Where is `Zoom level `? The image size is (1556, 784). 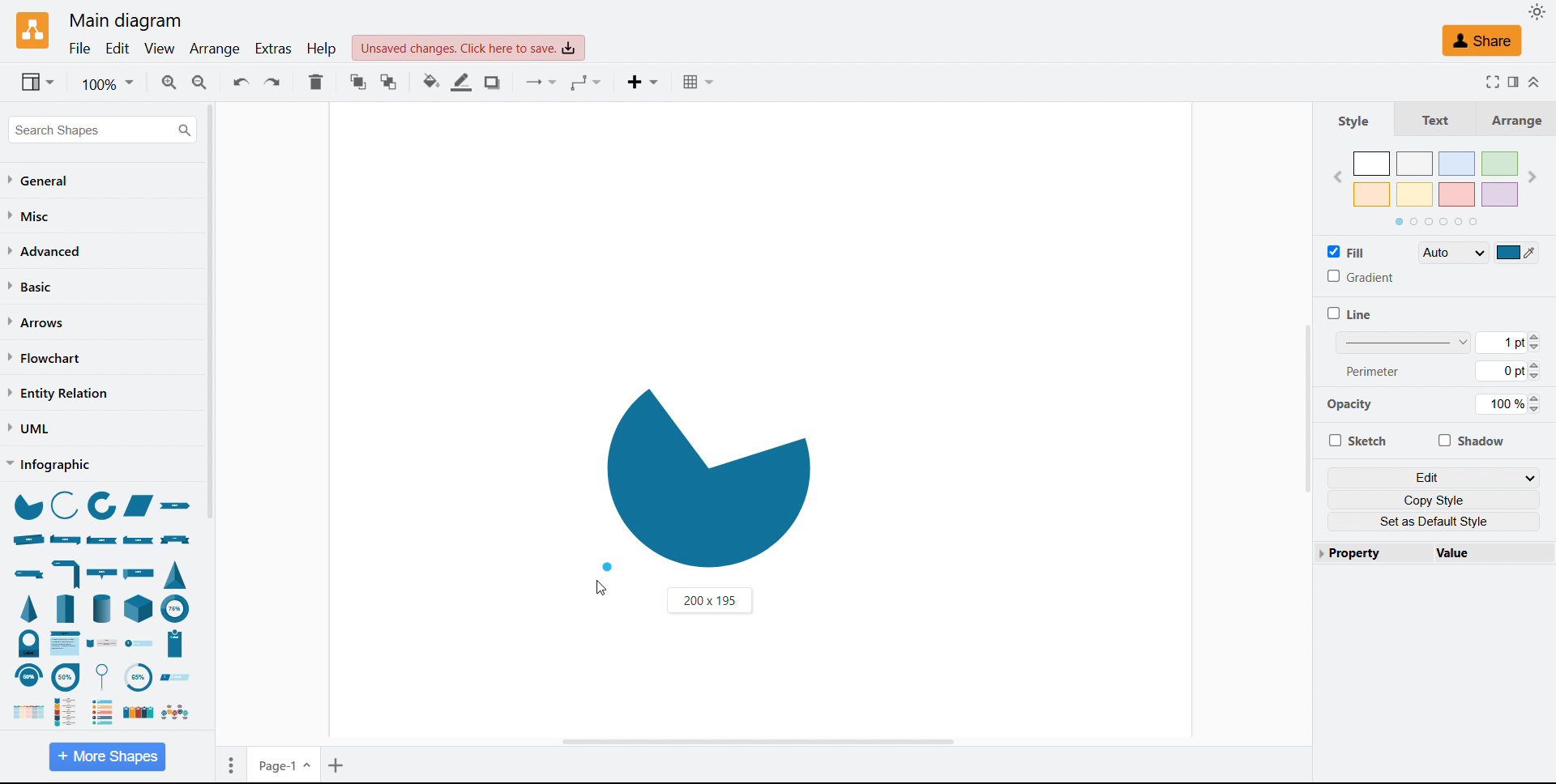
Zoom level  is located at coordinates (107, 83).